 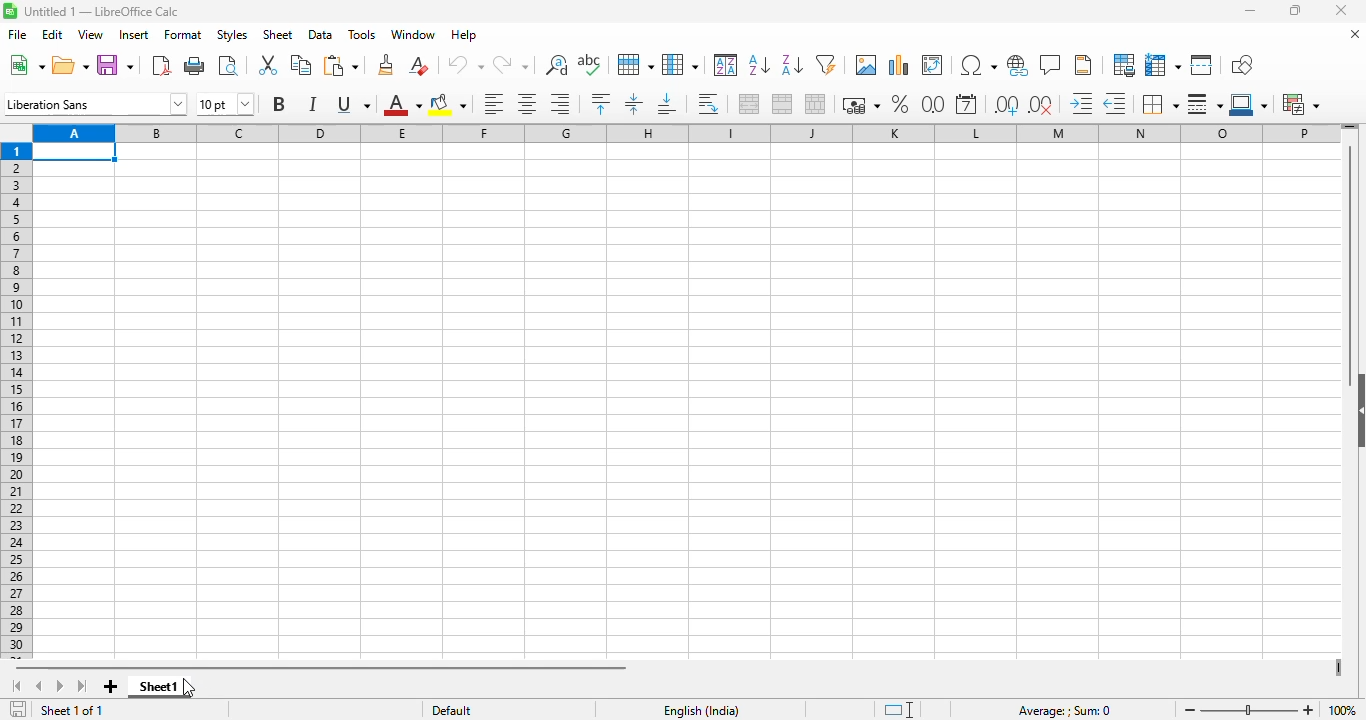 What do you see at coordinates (183, 35) in the screenshot?
I see `format` at bounding box center [183, 35].